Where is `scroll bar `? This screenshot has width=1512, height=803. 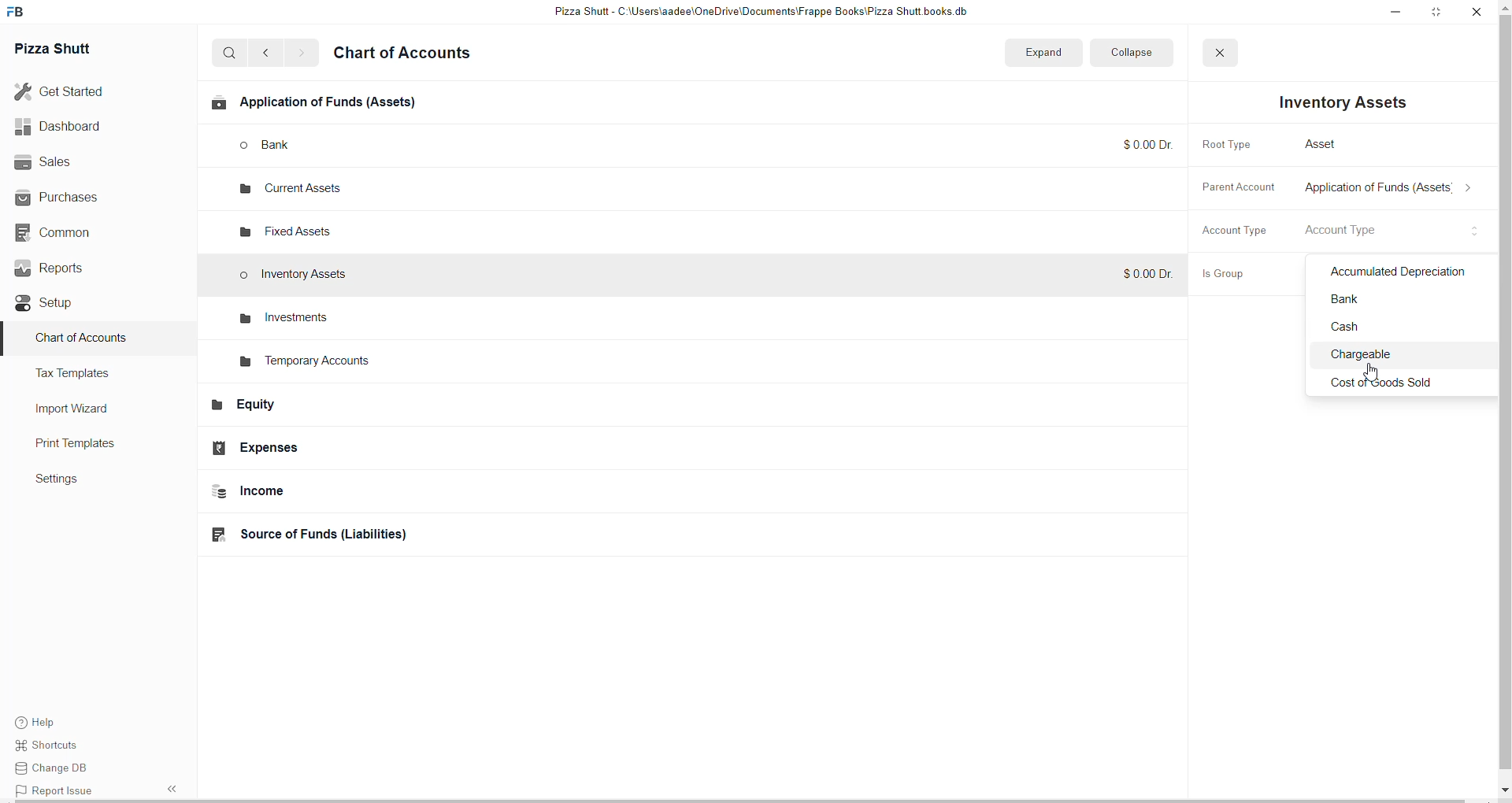 scroll bar  is located at coordinates (1503, 398).